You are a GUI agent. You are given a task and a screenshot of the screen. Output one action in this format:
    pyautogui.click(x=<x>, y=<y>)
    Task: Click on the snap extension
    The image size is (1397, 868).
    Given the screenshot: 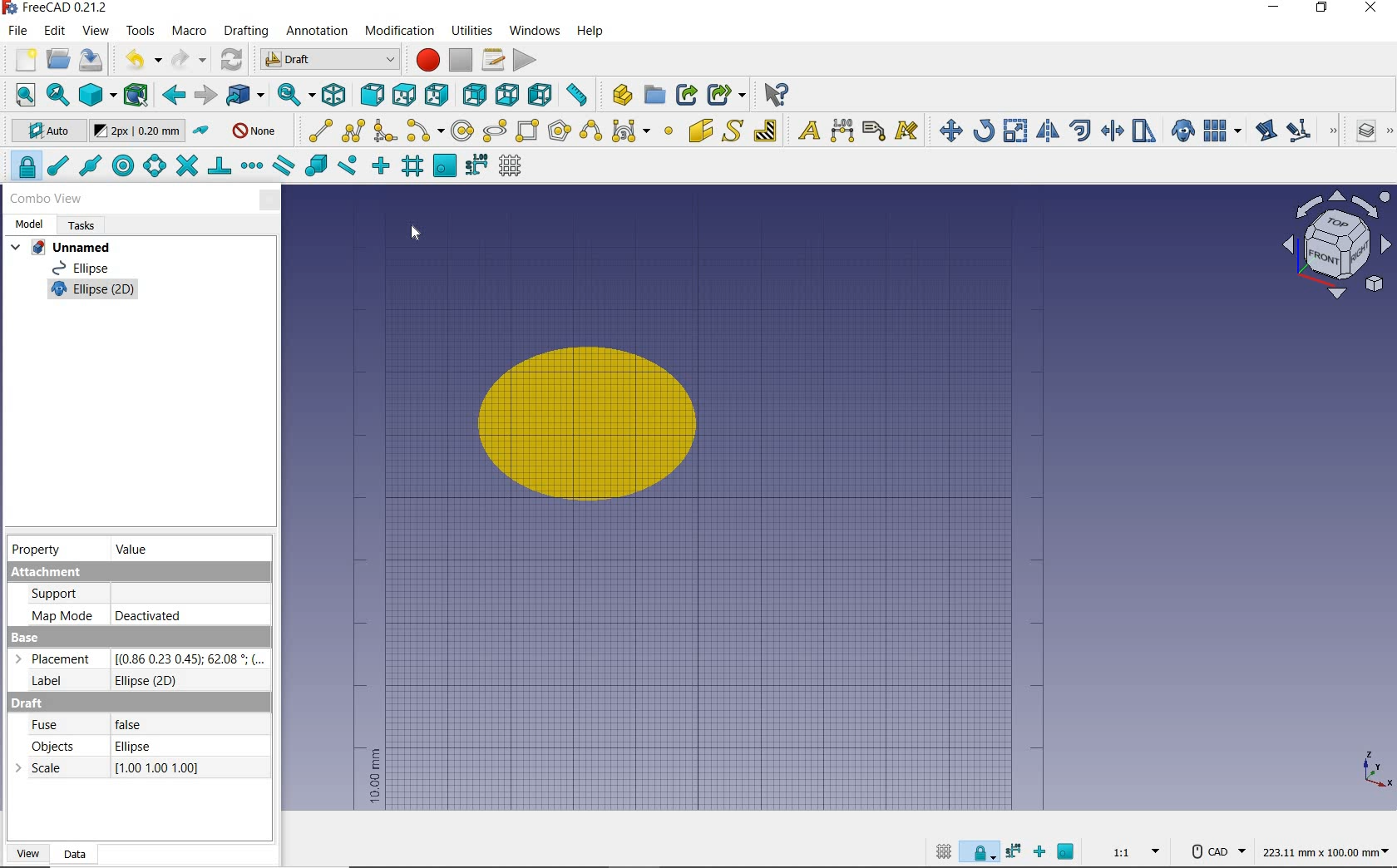 What is the action you would take?
    pyautogui.click(x=253, y=165)
    